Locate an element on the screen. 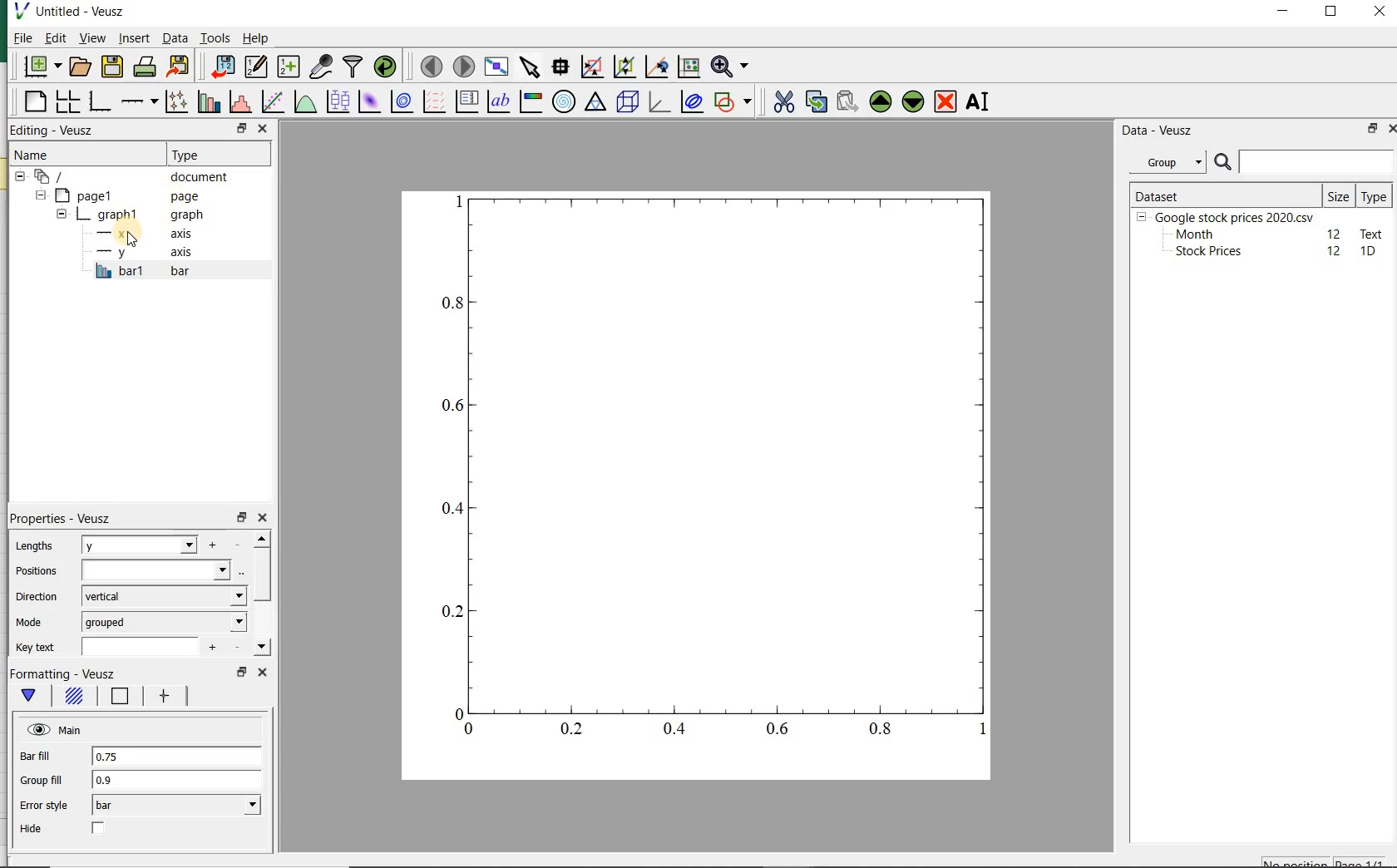  histogram of a dataset is located at coordinates (239, 104).